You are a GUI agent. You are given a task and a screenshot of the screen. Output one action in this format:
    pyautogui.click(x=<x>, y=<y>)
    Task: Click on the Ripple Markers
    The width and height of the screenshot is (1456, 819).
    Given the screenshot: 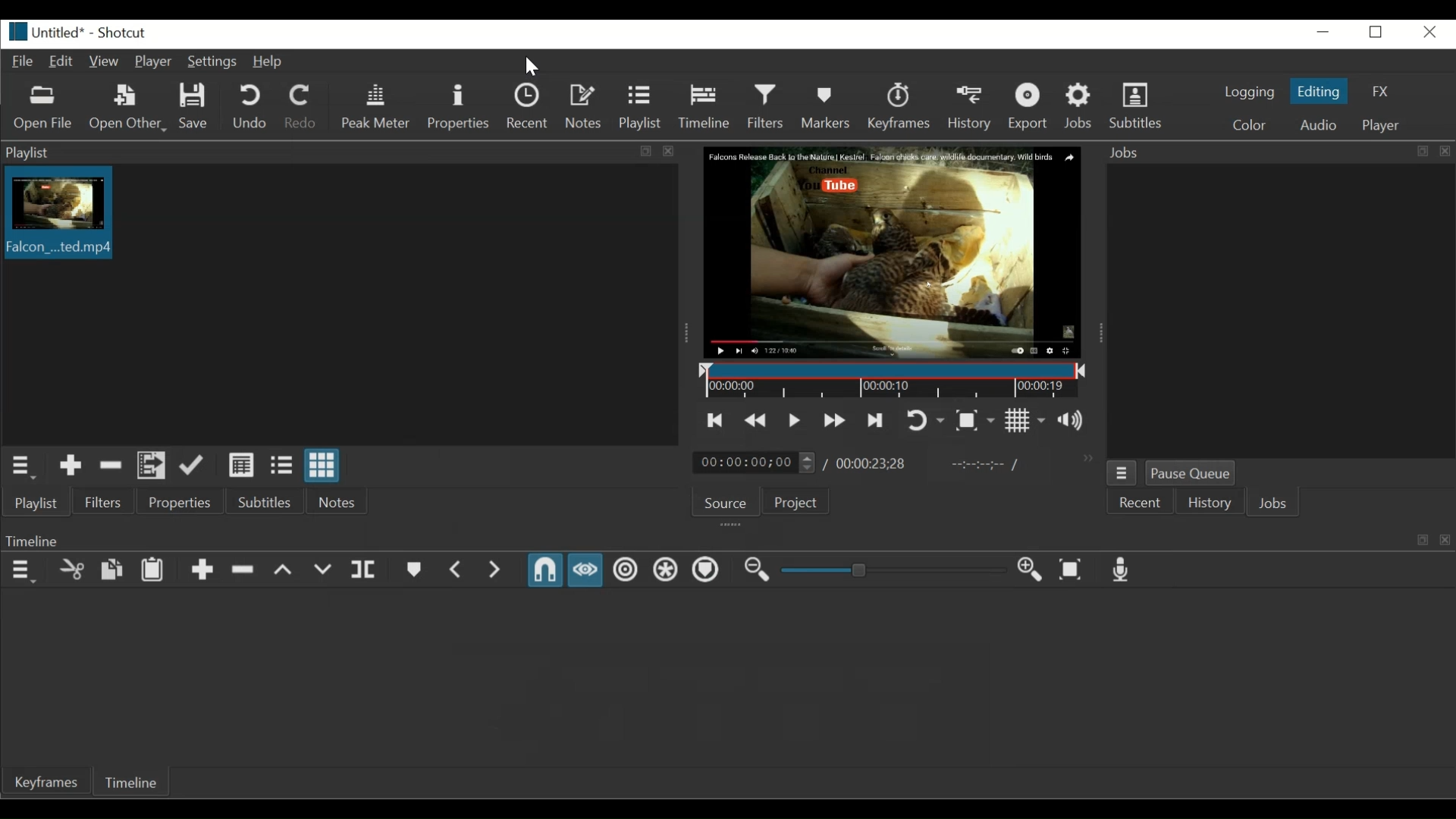 What is the action you would take?
    pyautogui.click(x=704, y=570)
    